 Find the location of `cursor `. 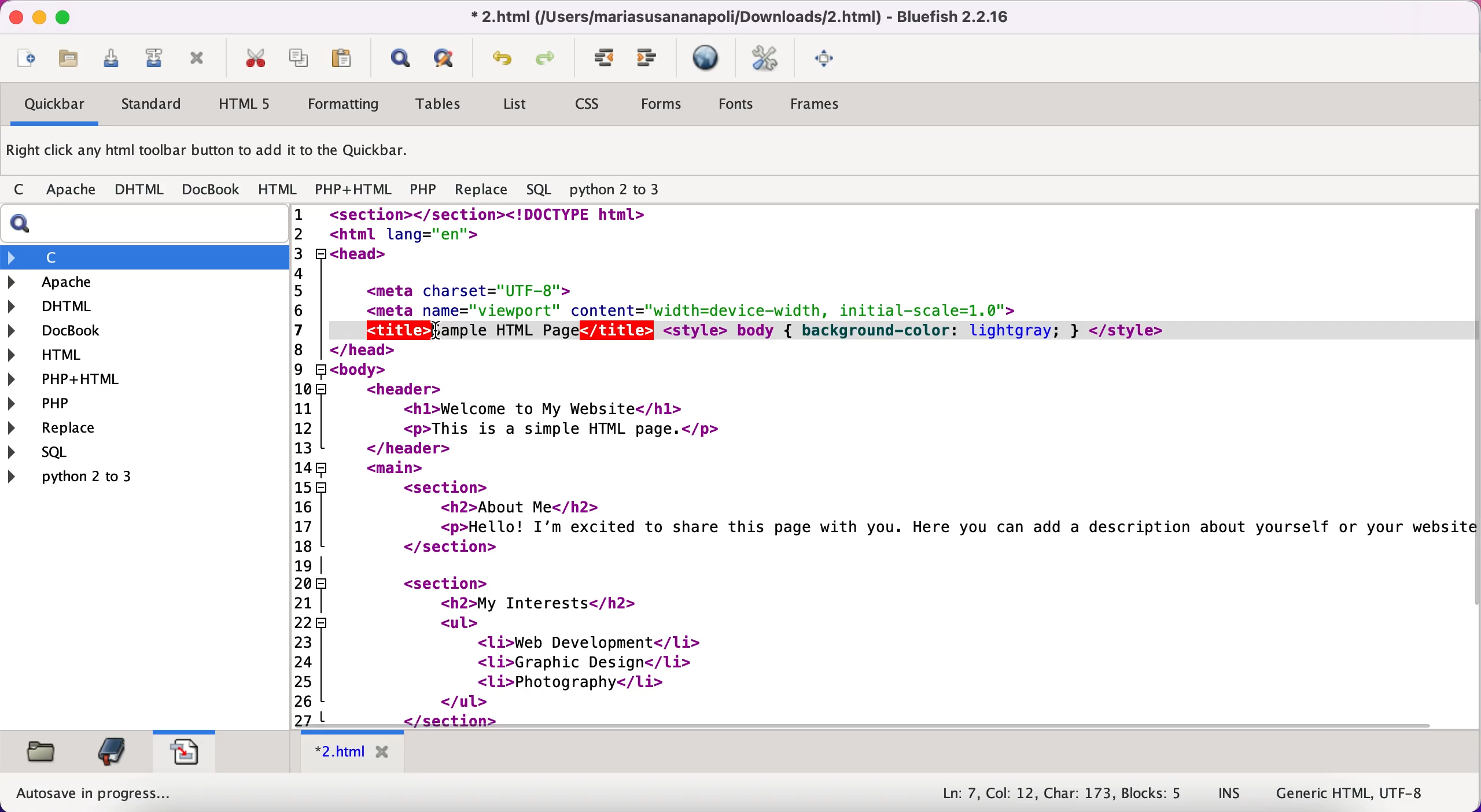

cursor  is located at coordinates (440, 332).